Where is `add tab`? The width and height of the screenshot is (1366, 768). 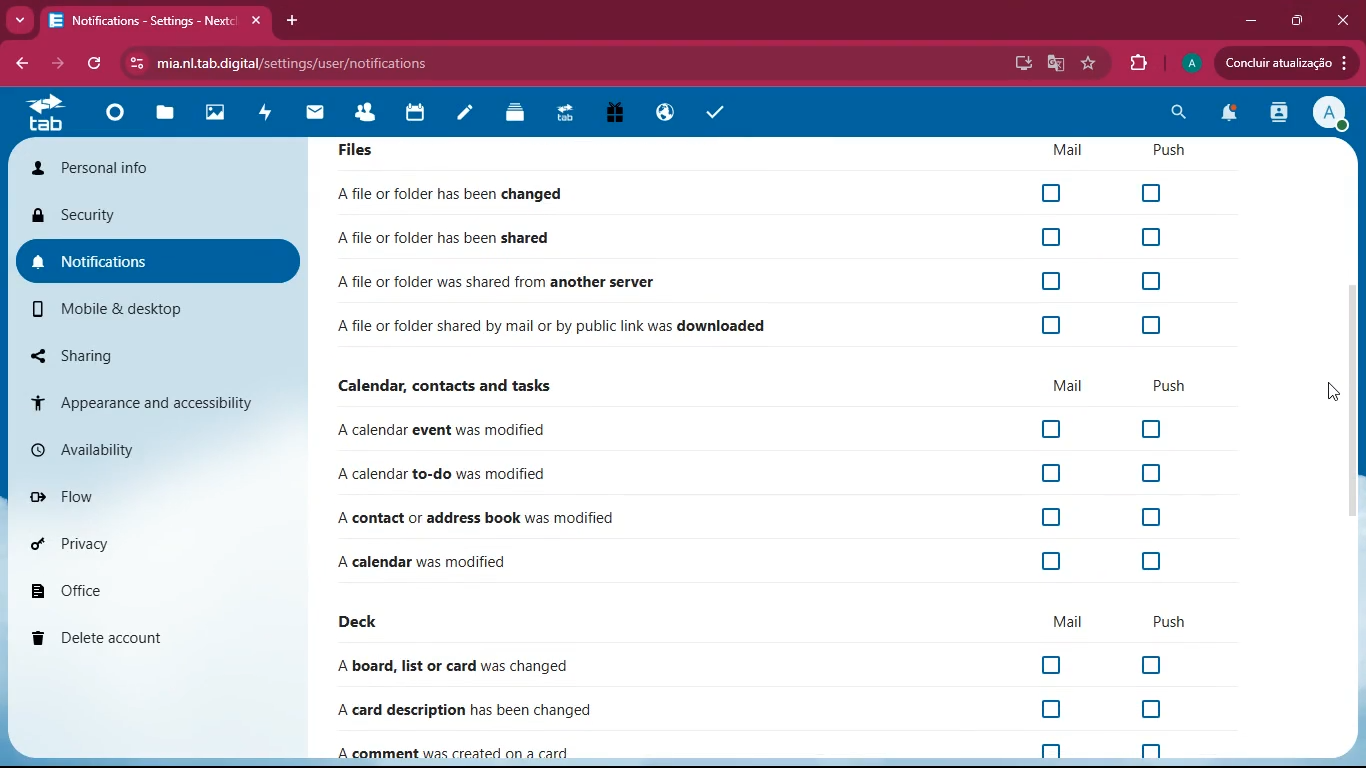 add tab is located at coordinates (294, 22).